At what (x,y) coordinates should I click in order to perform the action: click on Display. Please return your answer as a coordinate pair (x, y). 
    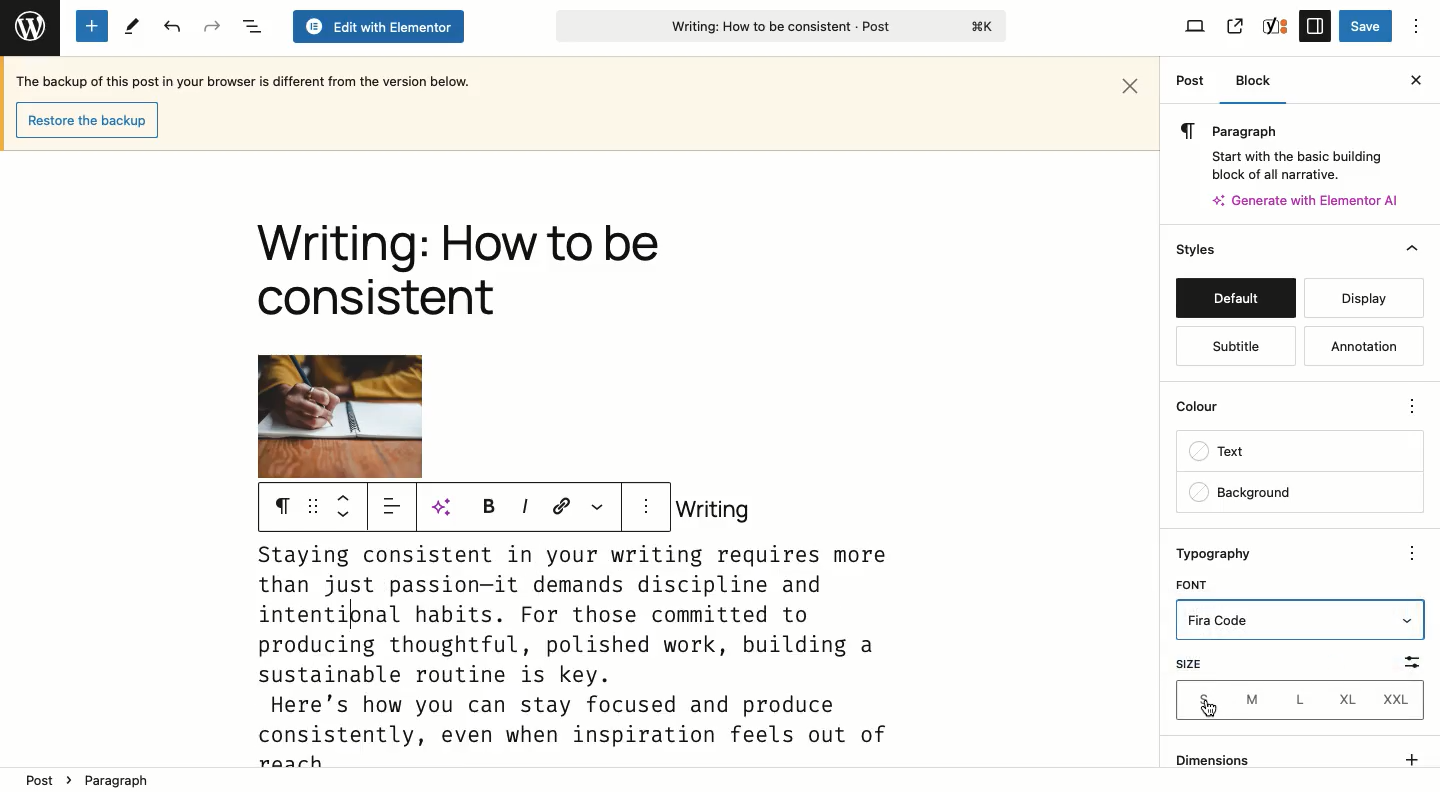
    Looking at the image, I should click on (1365, 298).